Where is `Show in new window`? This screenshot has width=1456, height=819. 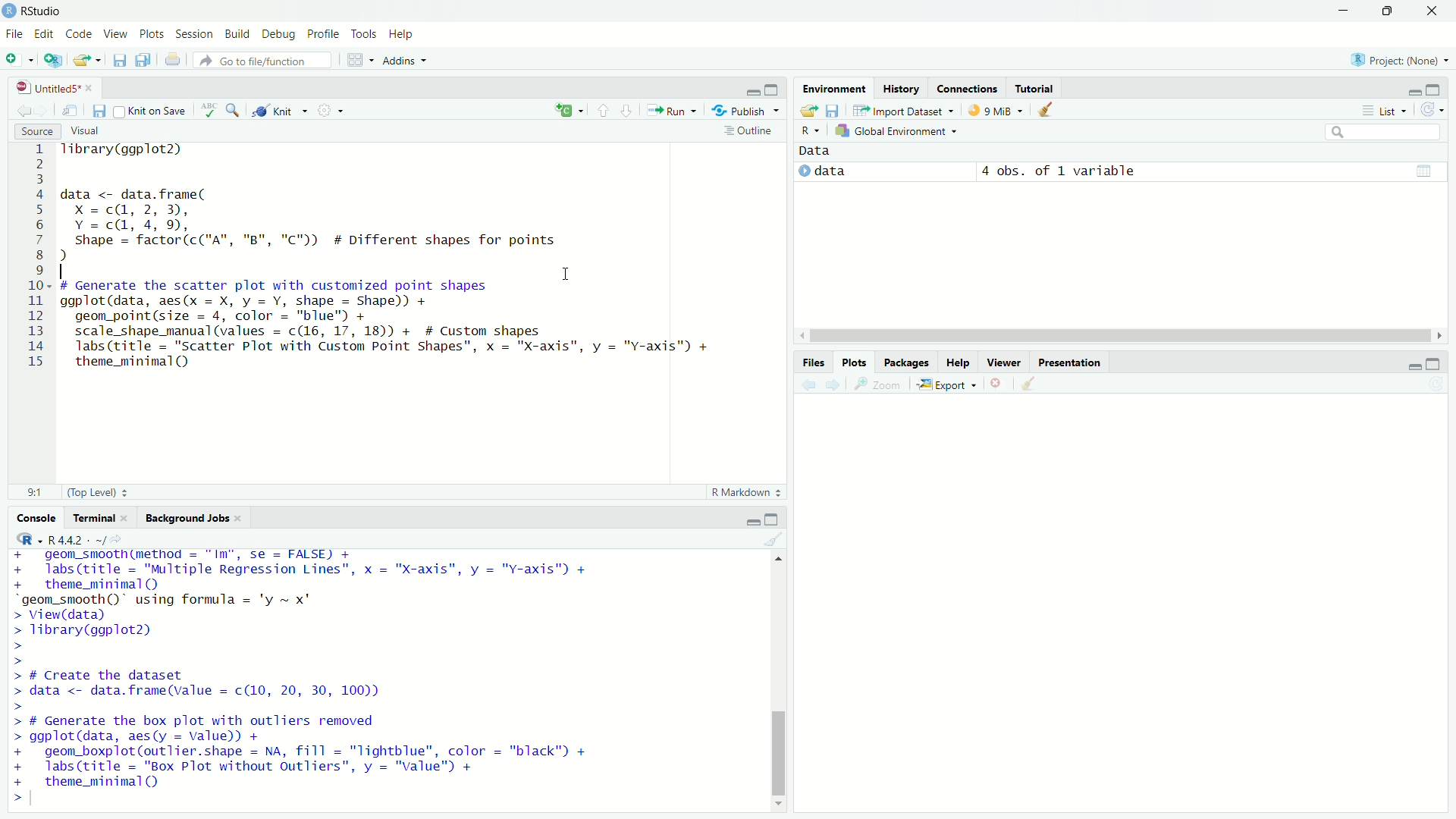
Show in new window is located at coordinates (71, 110).